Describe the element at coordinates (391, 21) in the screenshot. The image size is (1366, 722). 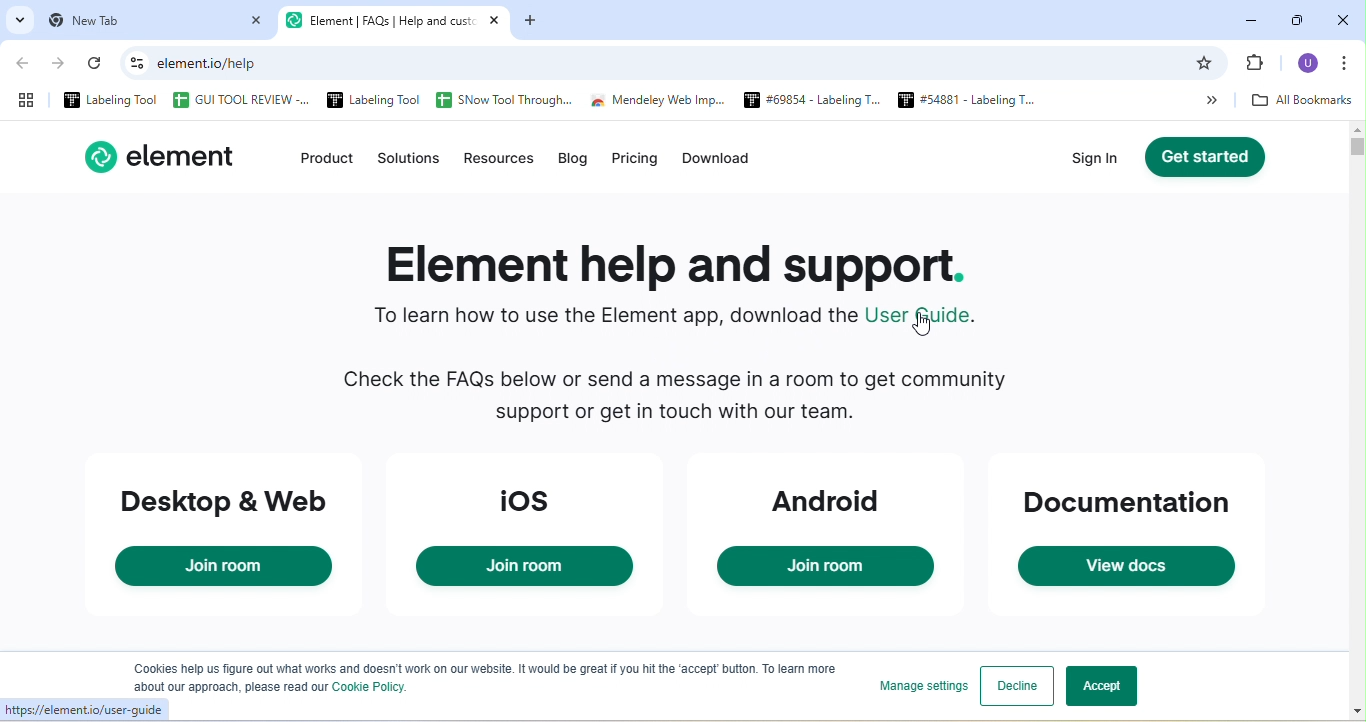
I see `Element | FAQs | Help and cust: X` at that location.